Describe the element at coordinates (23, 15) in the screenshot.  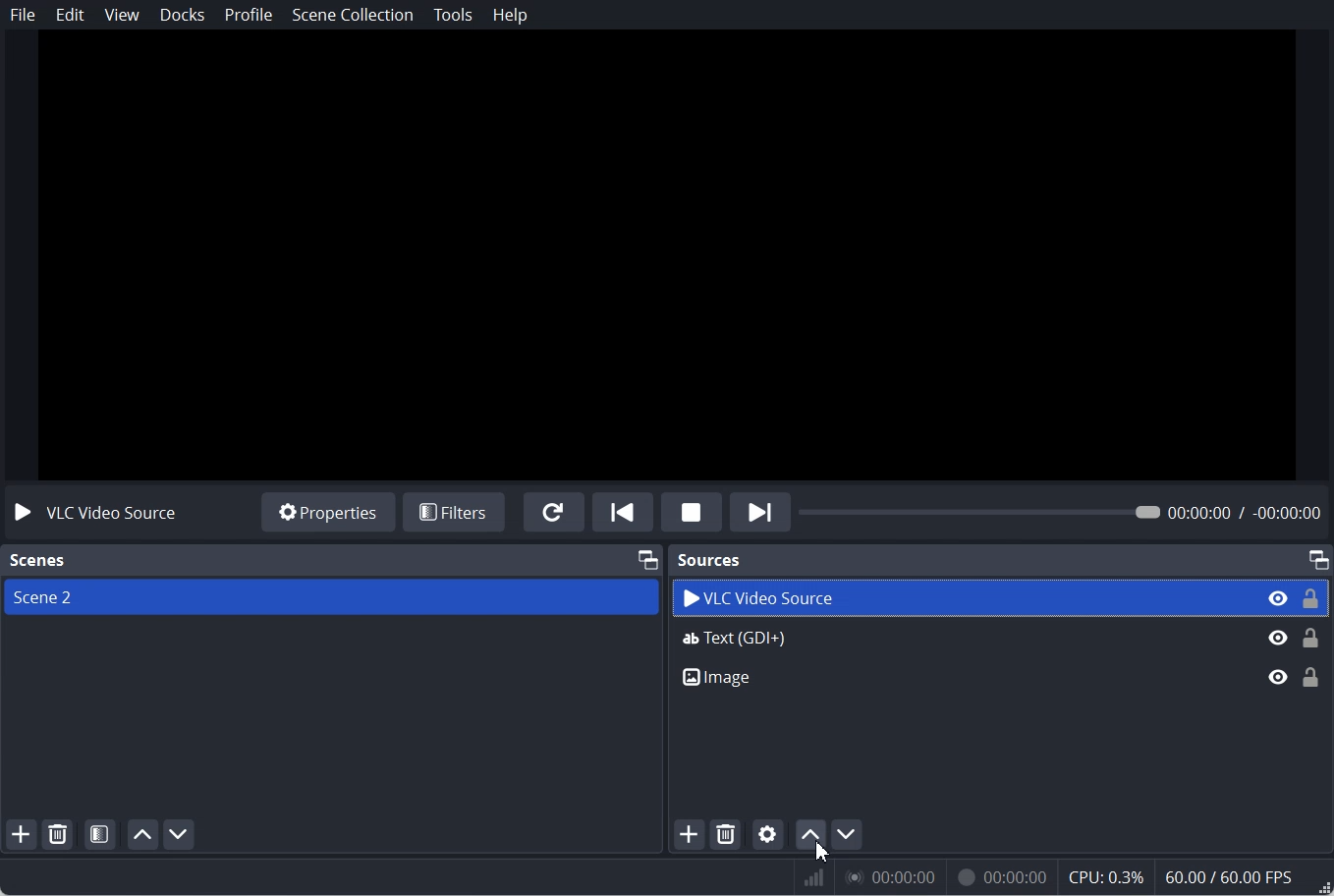
I see `File` at that location.